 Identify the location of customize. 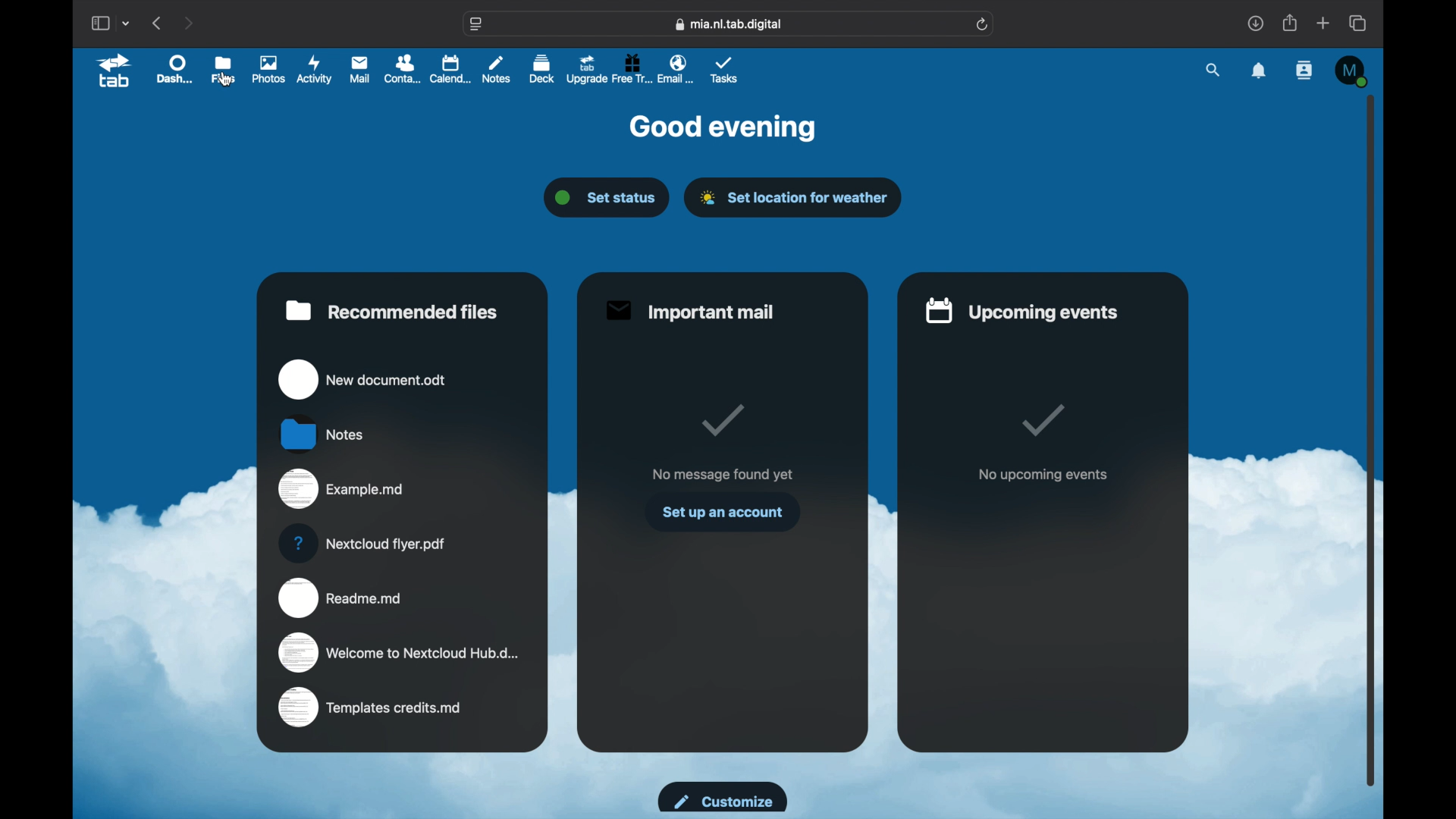
(724, 798).